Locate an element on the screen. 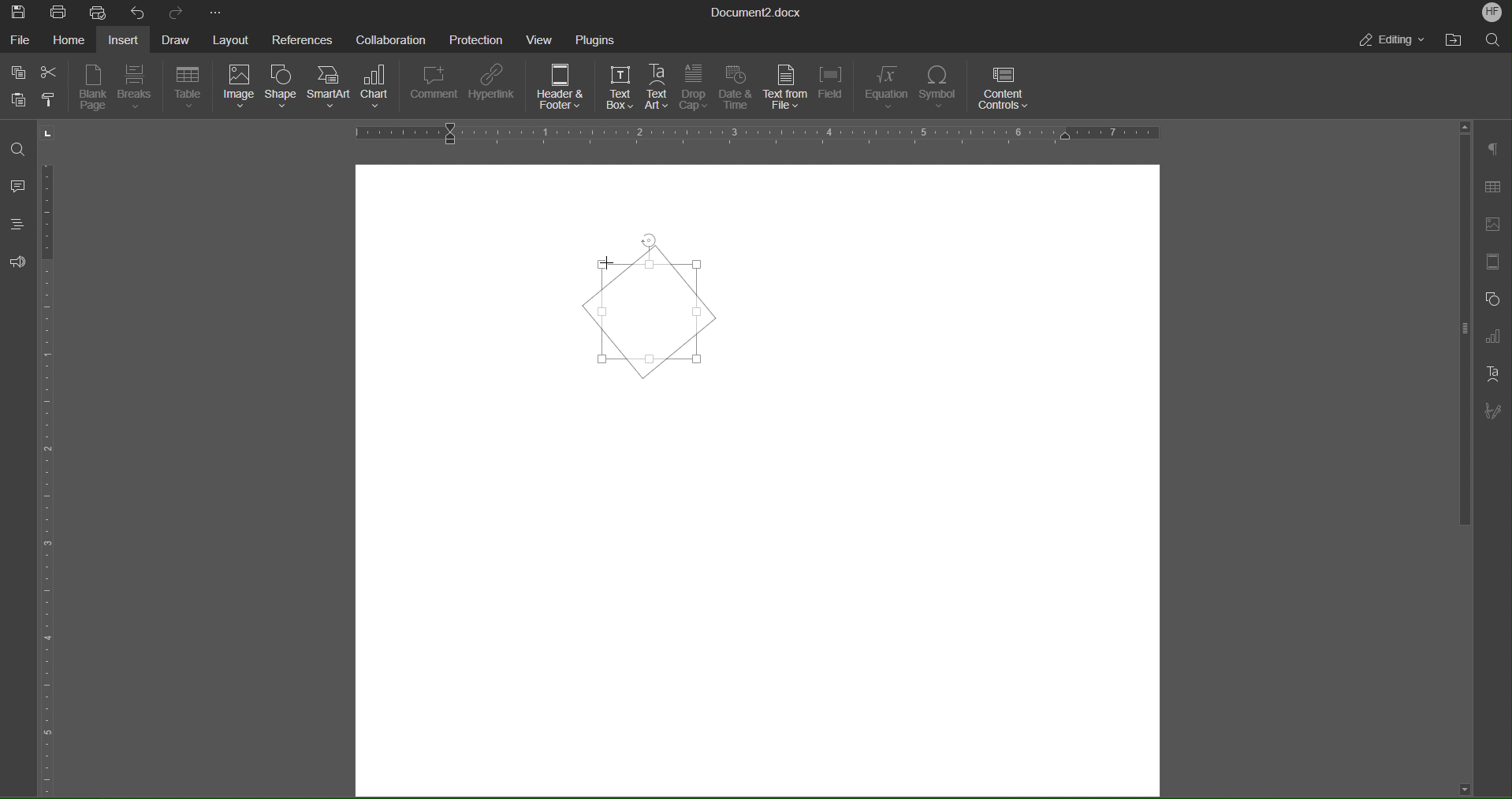  Copy Style is located at coordinates (54, 100).